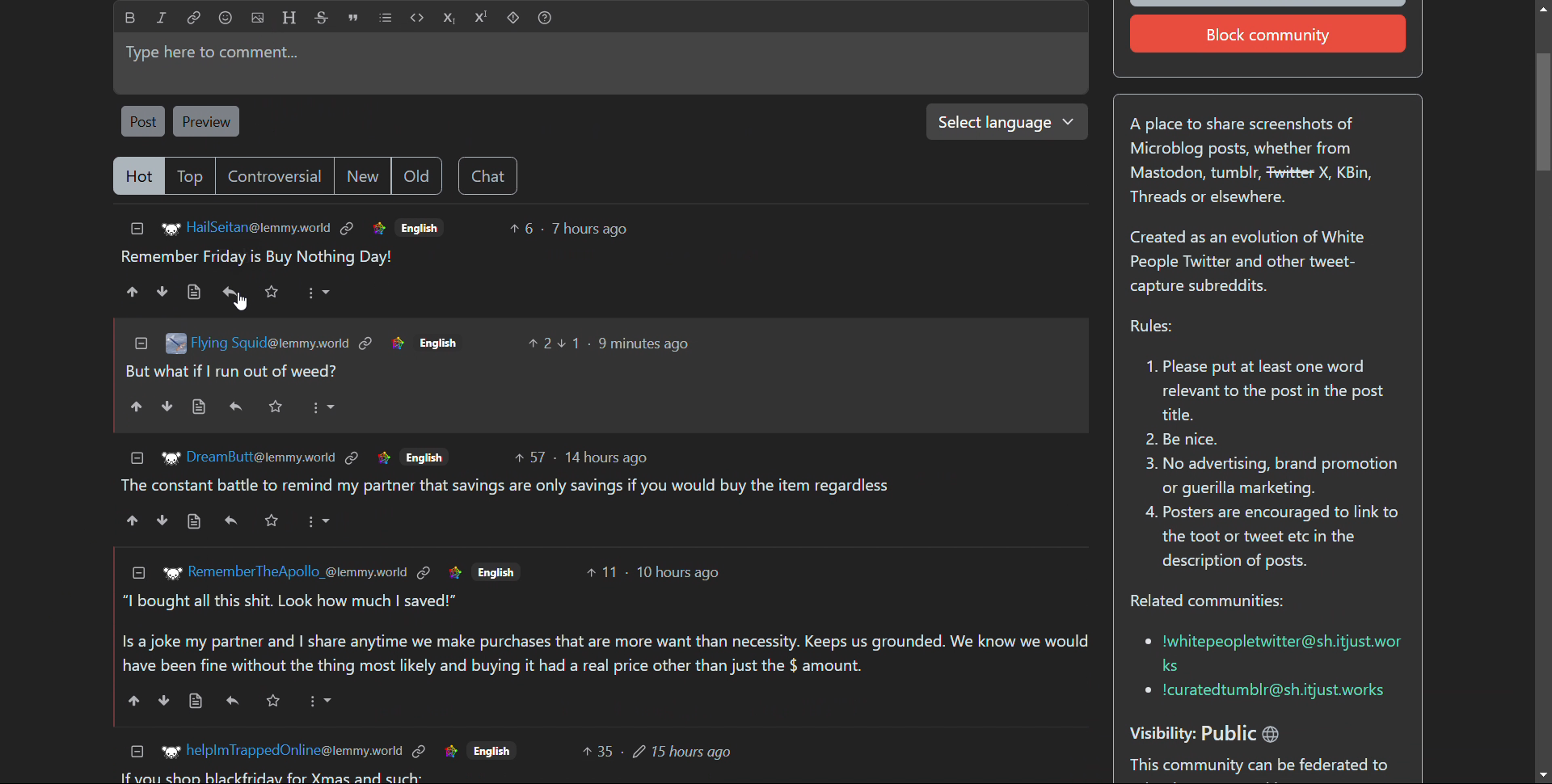 This screenshot has width=1552, height=784. Describe the element at coordinates (386, 18) in the screenshot. I see `list` at that location.